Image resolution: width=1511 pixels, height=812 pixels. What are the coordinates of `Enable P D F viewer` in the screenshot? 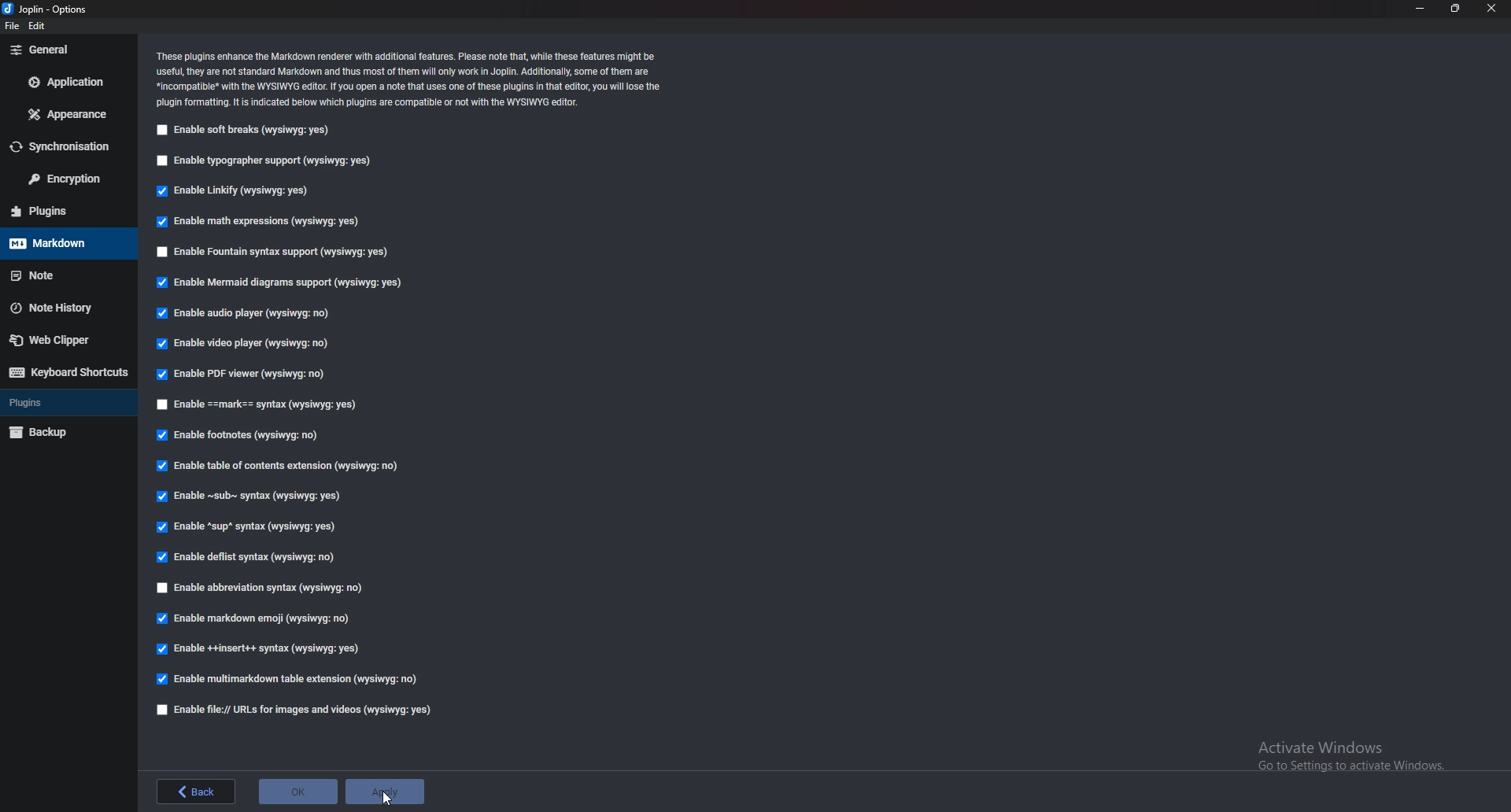 It's located at (239, 374).